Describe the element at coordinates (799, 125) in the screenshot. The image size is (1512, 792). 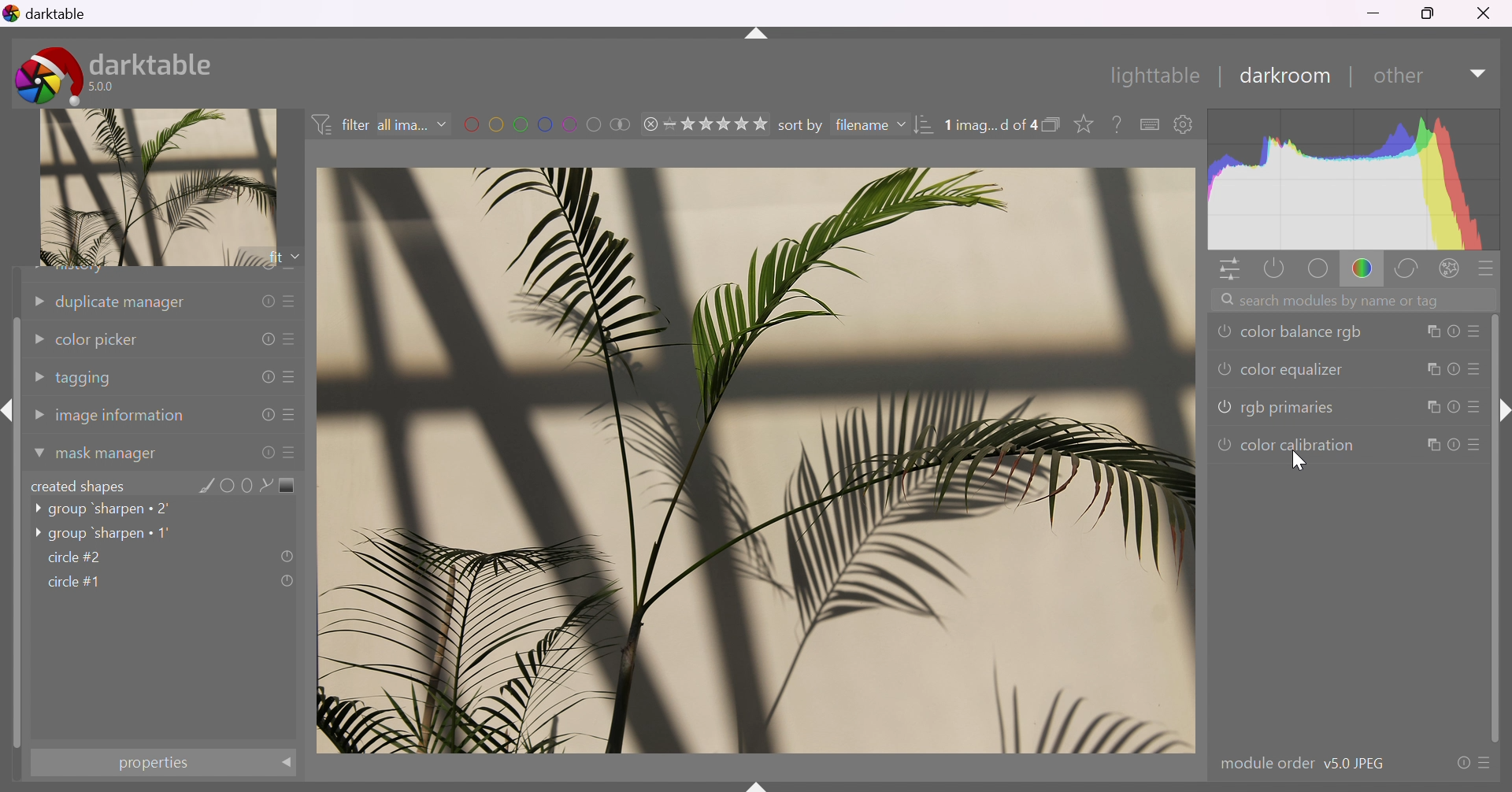
I see `sort by` at that location.